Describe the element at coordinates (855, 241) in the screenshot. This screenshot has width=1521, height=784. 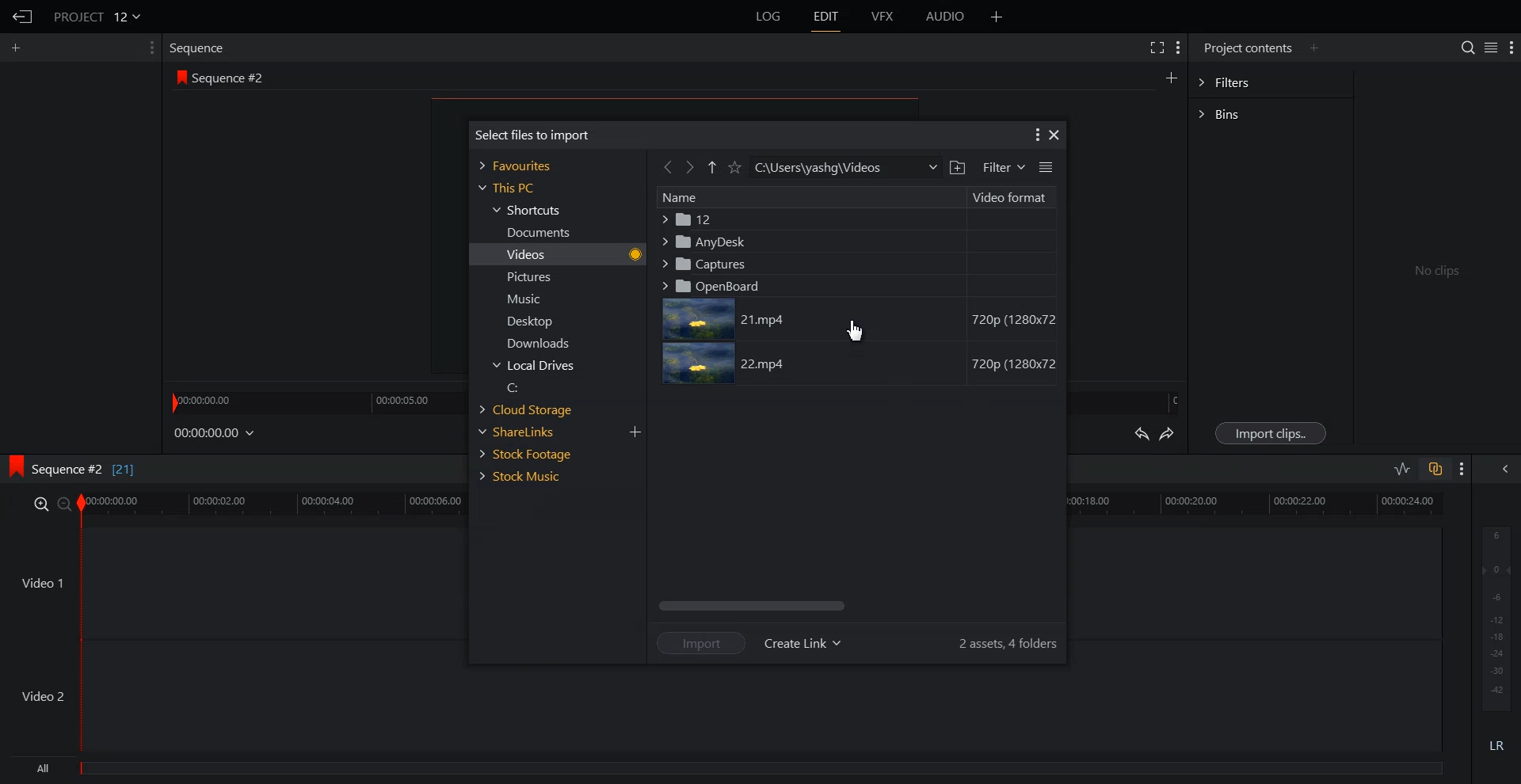
I see `AnyDesk` at that location.